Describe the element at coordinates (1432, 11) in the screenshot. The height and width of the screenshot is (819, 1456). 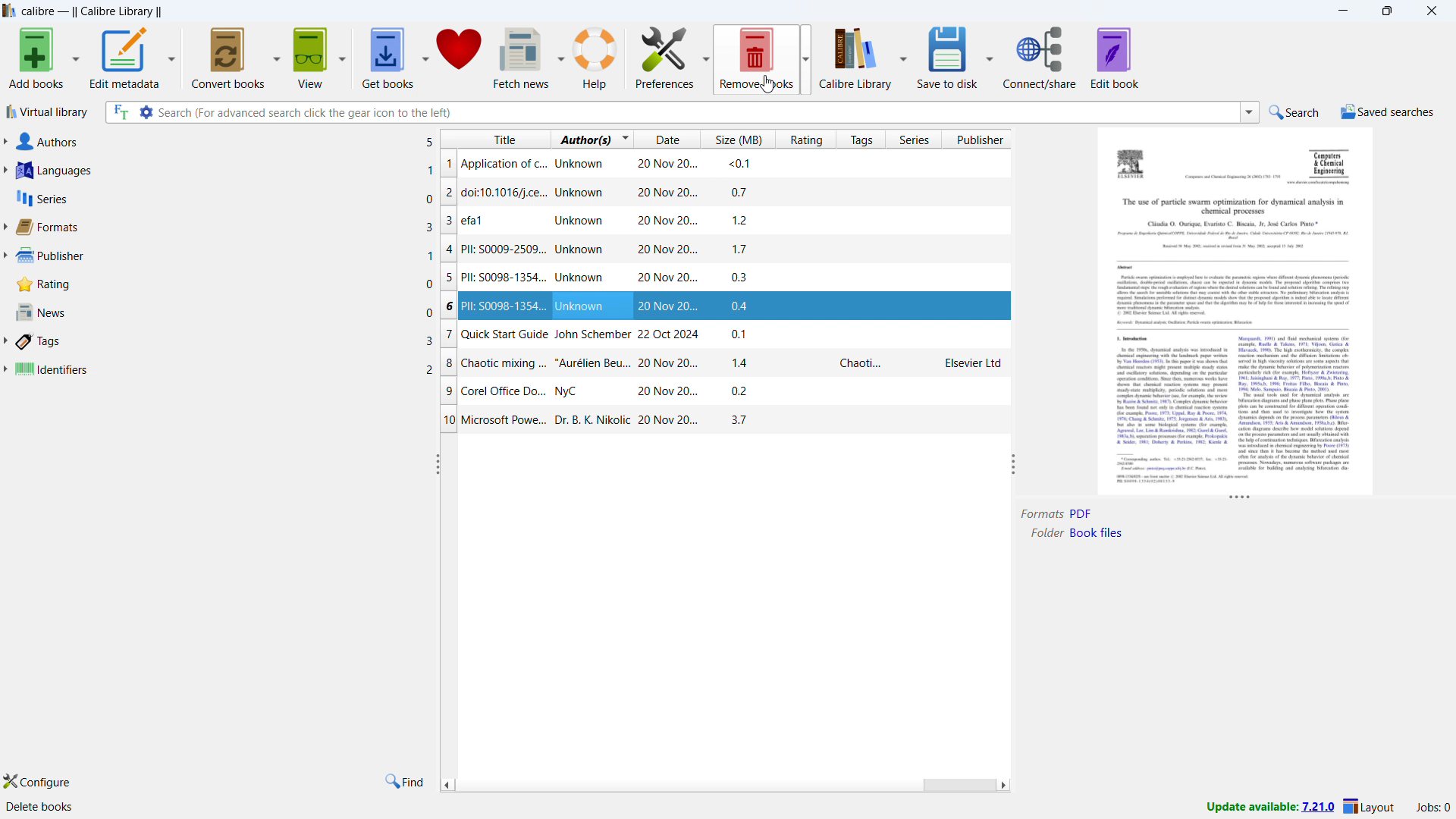
I see `close` at that location.